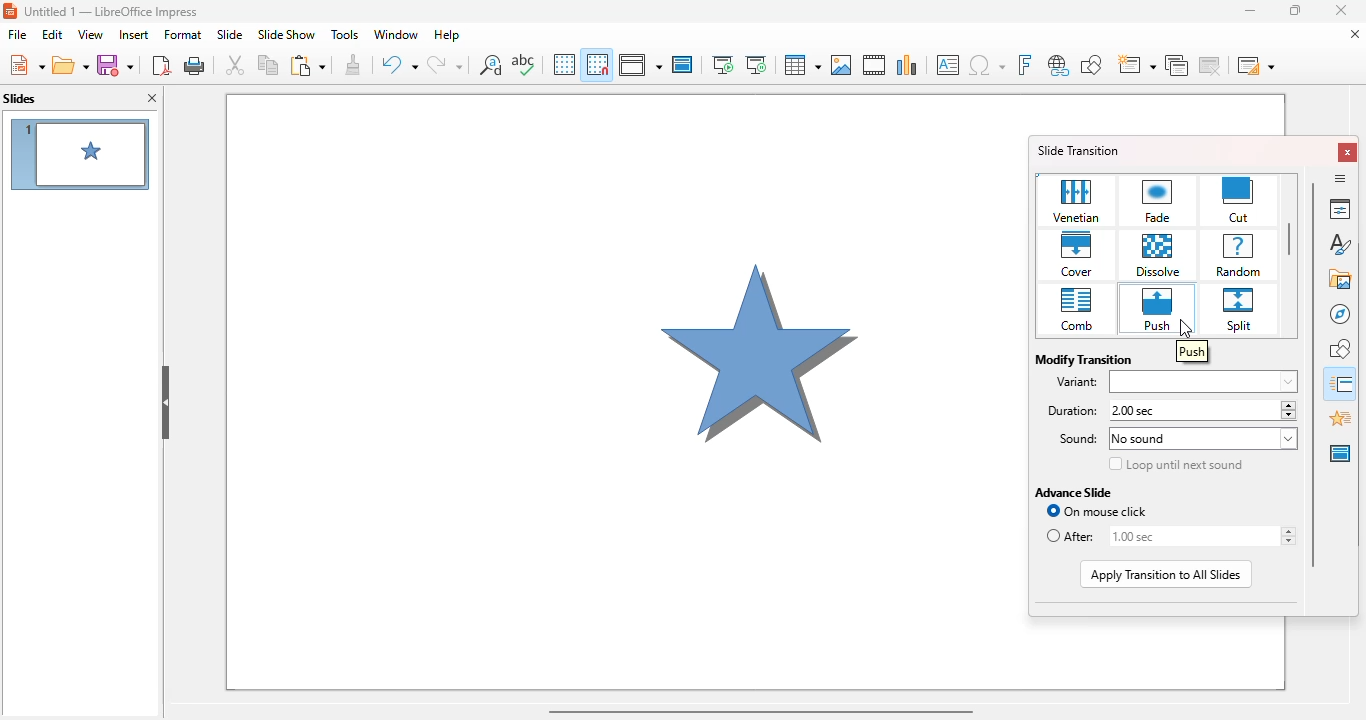  Describe the element at coordinates (1166, 575) in the screenshot. I see `apply transition to all slides` at that location.